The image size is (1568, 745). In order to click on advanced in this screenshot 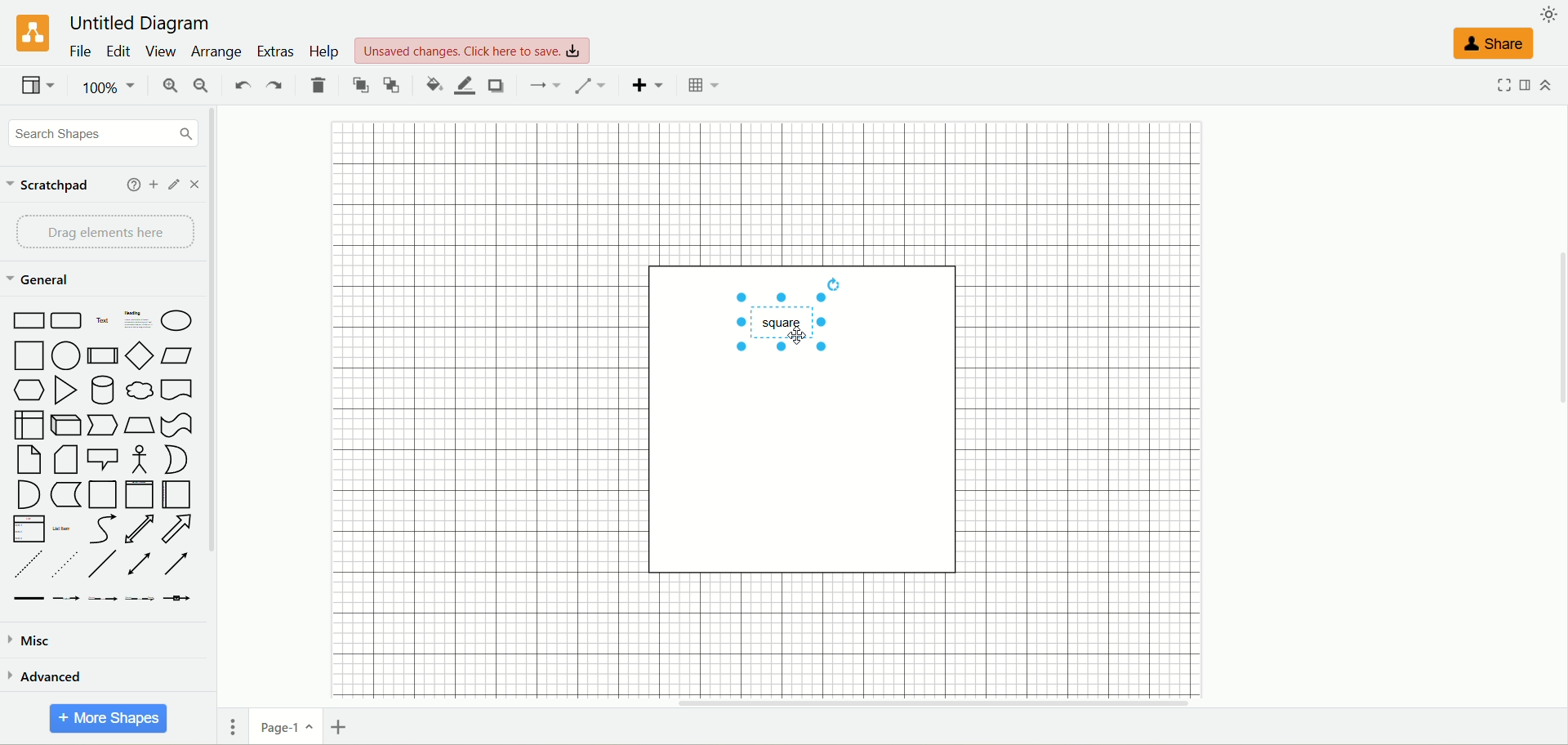, I will do `click(56, 675)`.